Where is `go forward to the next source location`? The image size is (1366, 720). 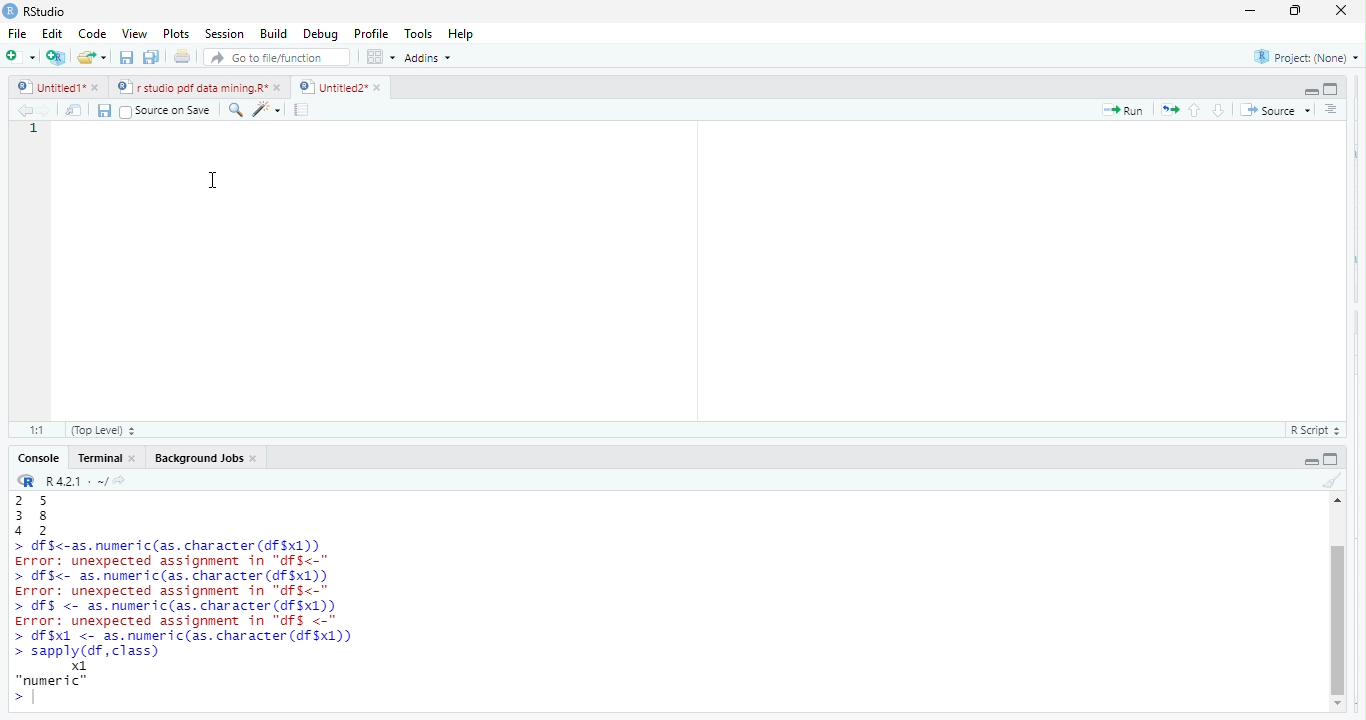 go forward to the next source location is located at coordinates (48, 111).